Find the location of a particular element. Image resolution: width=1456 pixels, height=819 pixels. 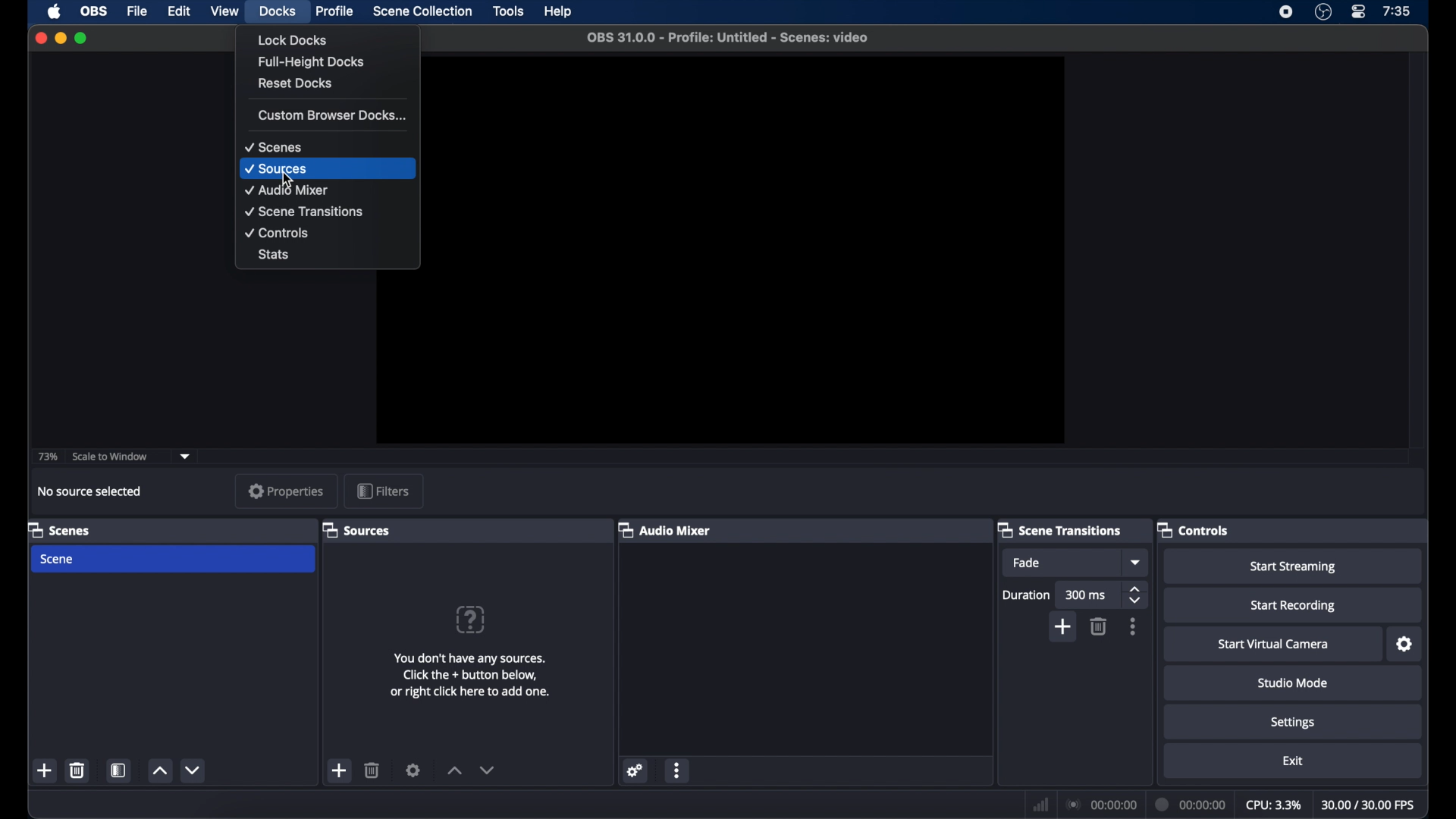

settings is located at coordinates (1293, 721).